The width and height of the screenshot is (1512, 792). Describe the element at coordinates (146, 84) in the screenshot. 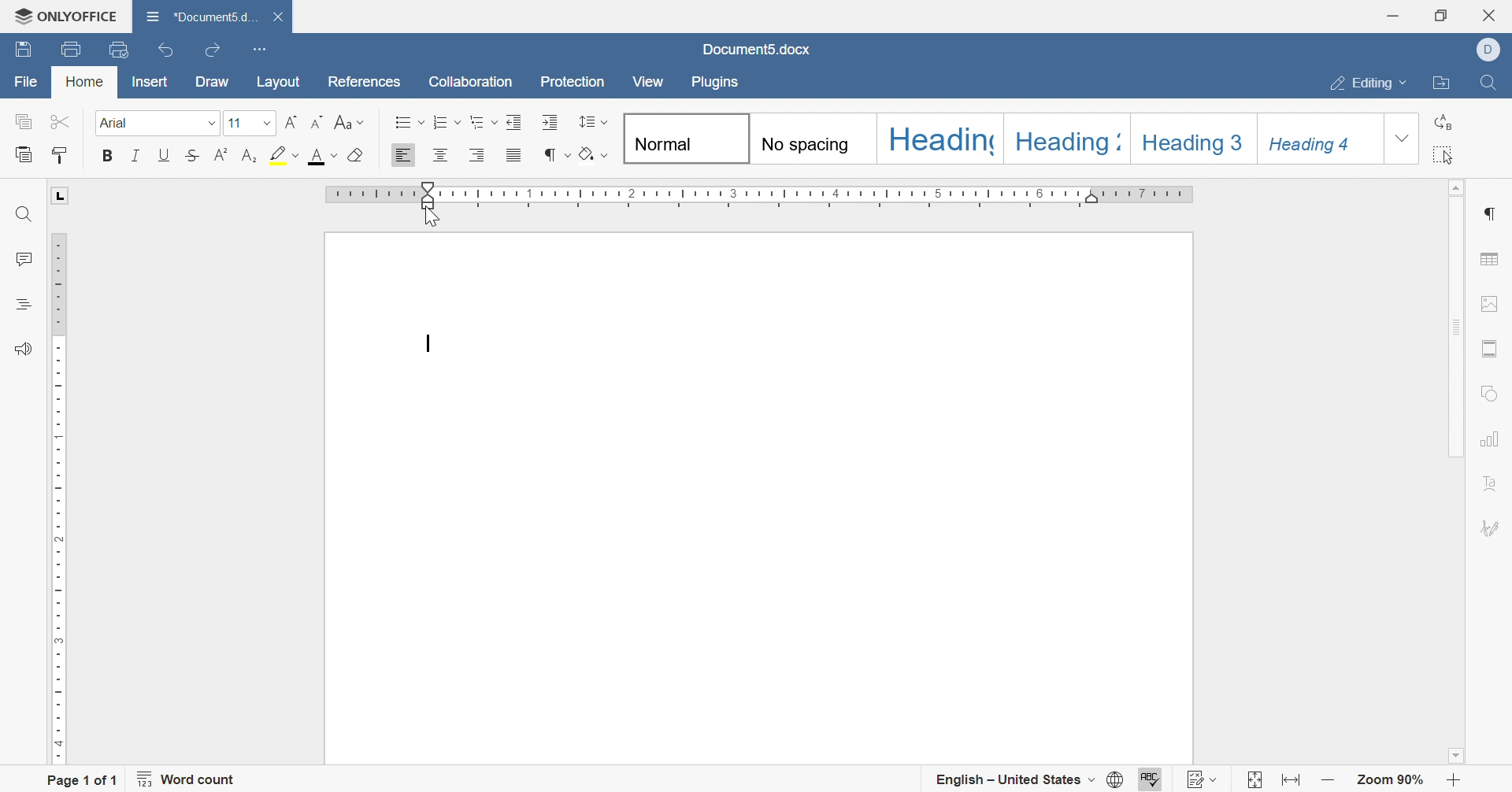

I see `insert` at that location.